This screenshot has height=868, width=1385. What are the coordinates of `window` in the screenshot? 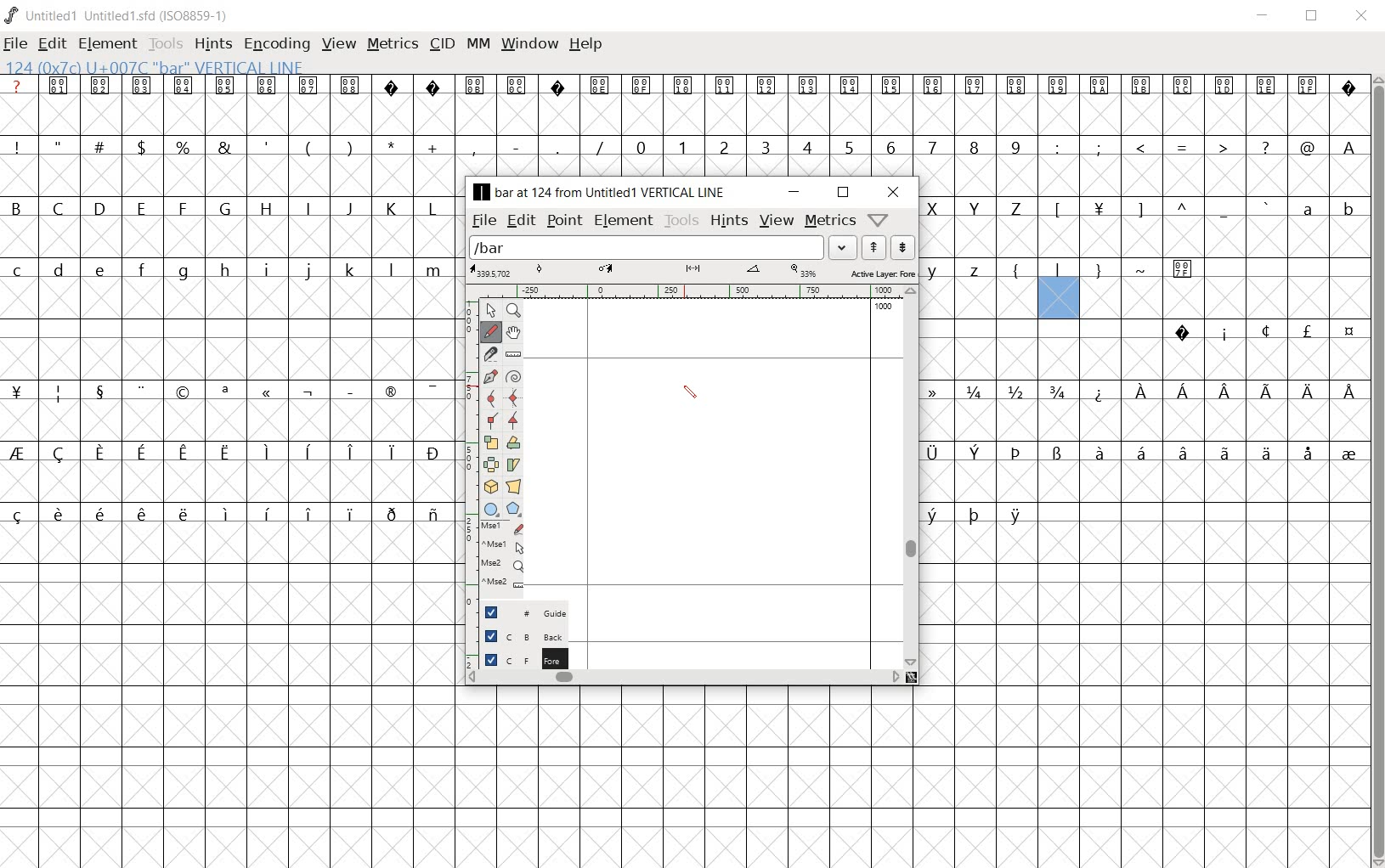 It's located at (531, 42).